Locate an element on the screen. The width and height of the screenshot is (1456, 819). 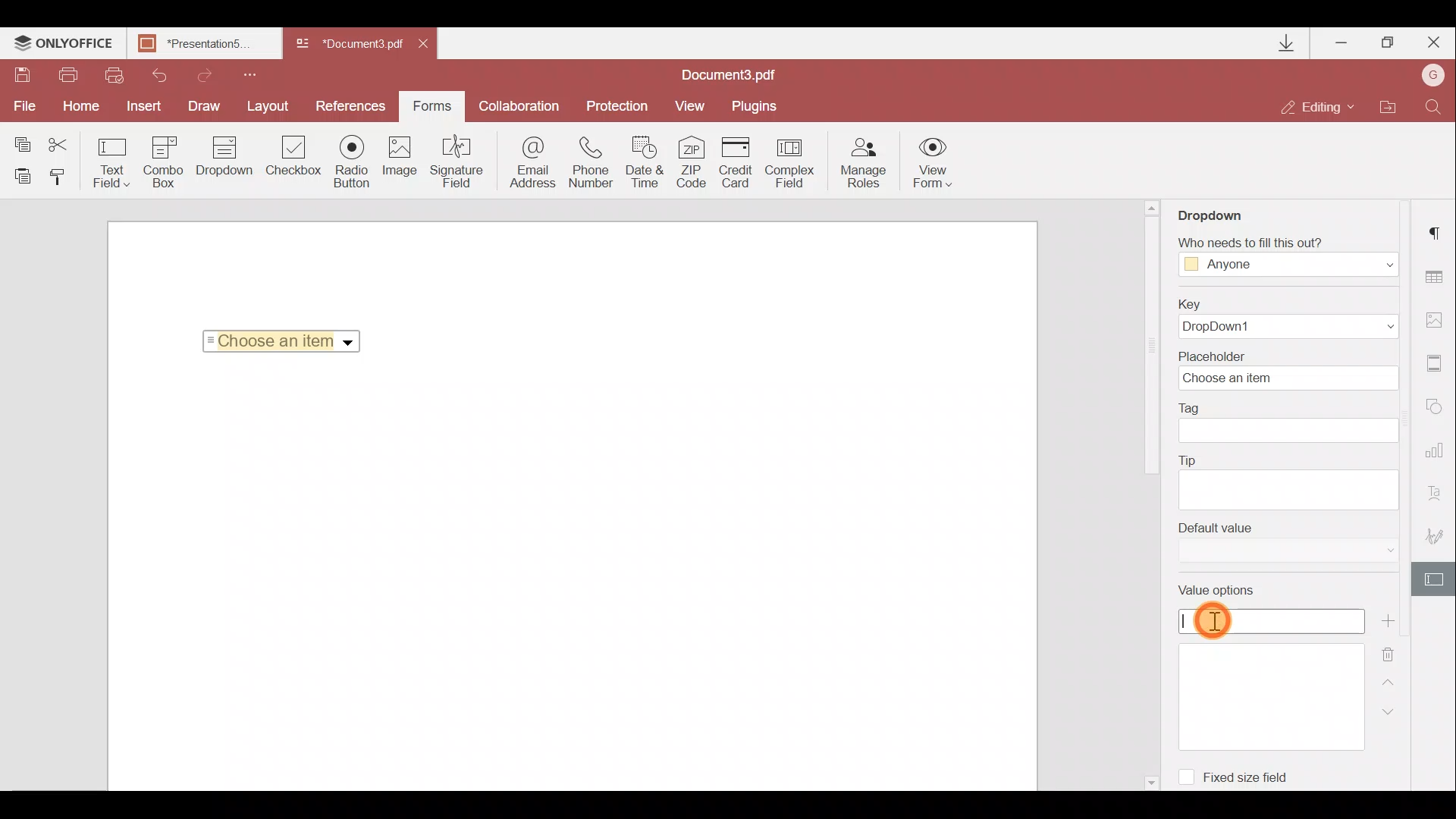
Chart settings is located at coordinates (1437, 457).